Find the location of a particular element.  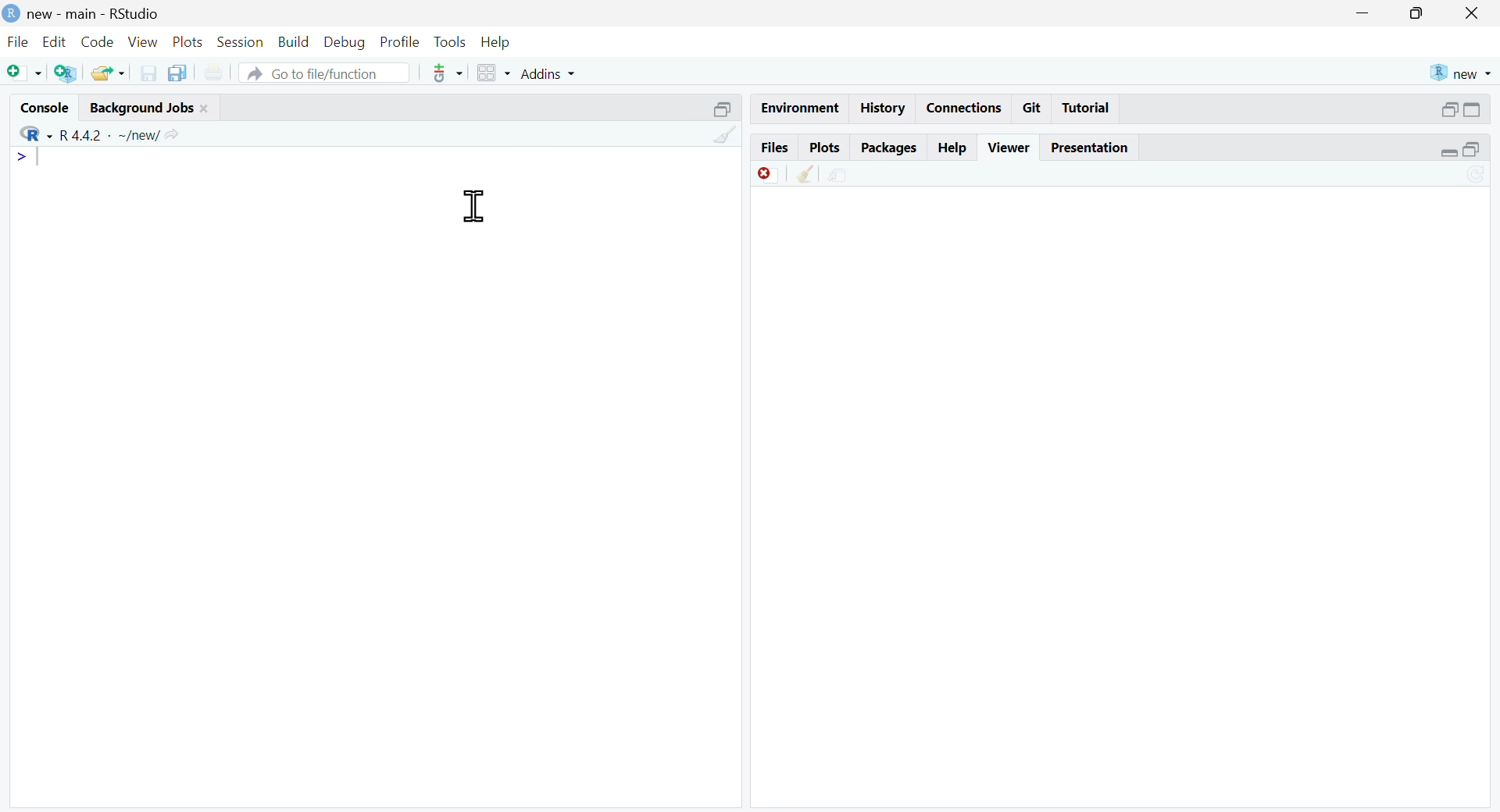

tool is located at coordinates (448, 73).